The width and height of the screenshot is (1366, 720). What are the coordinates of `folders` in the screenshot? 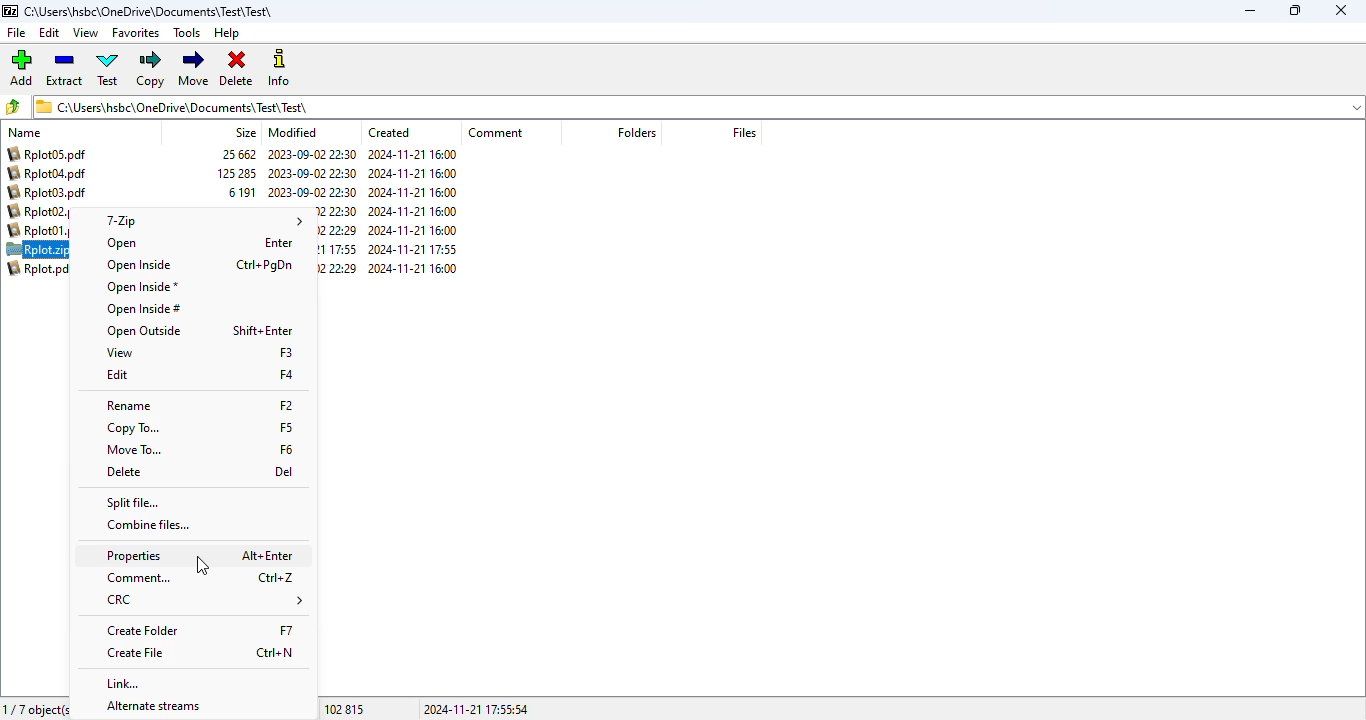 It's located at (637, 133).